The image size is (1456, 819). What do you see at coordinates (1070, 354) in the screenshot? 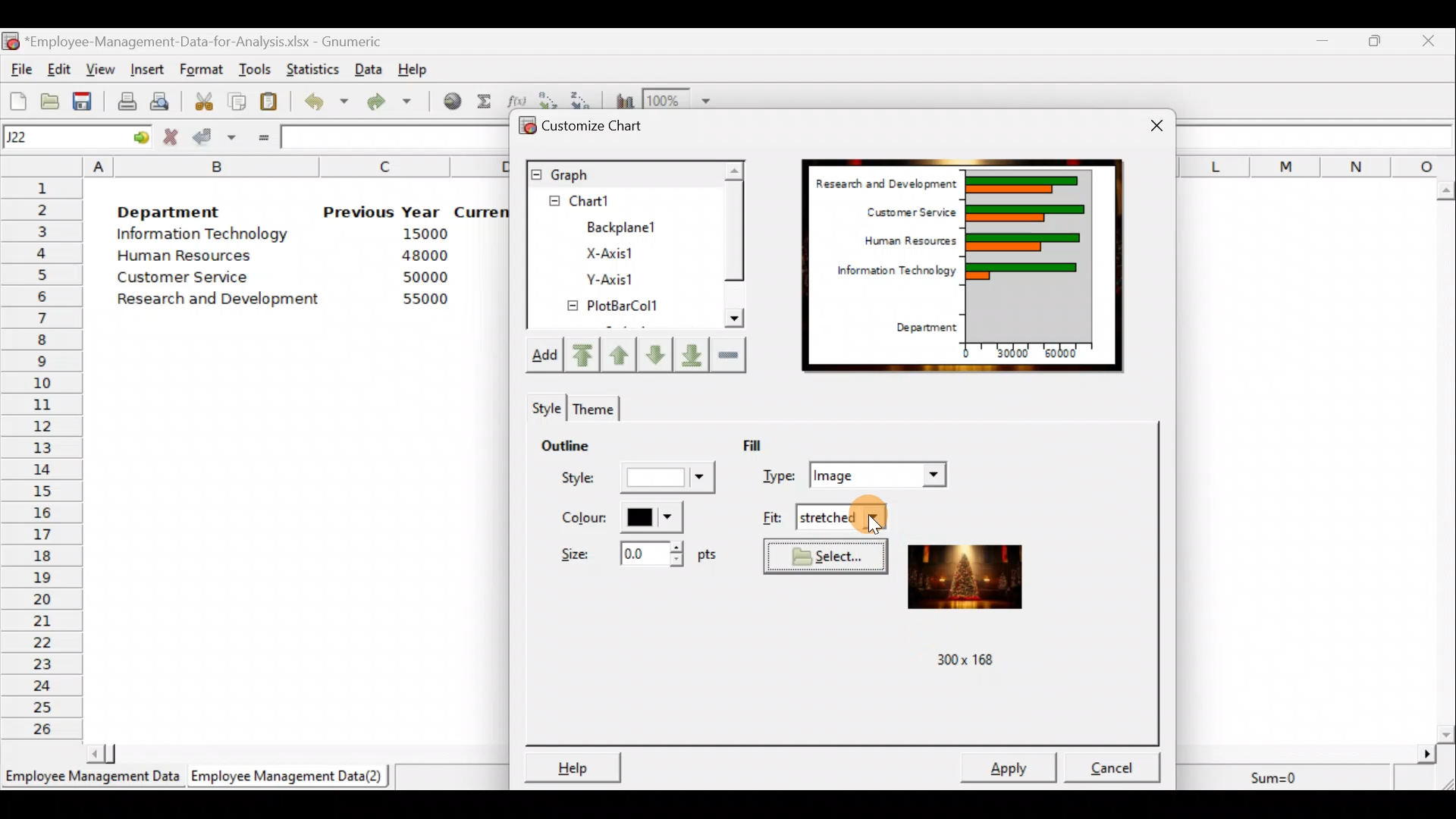
I see `60000` at bounding box center [1070, 354].